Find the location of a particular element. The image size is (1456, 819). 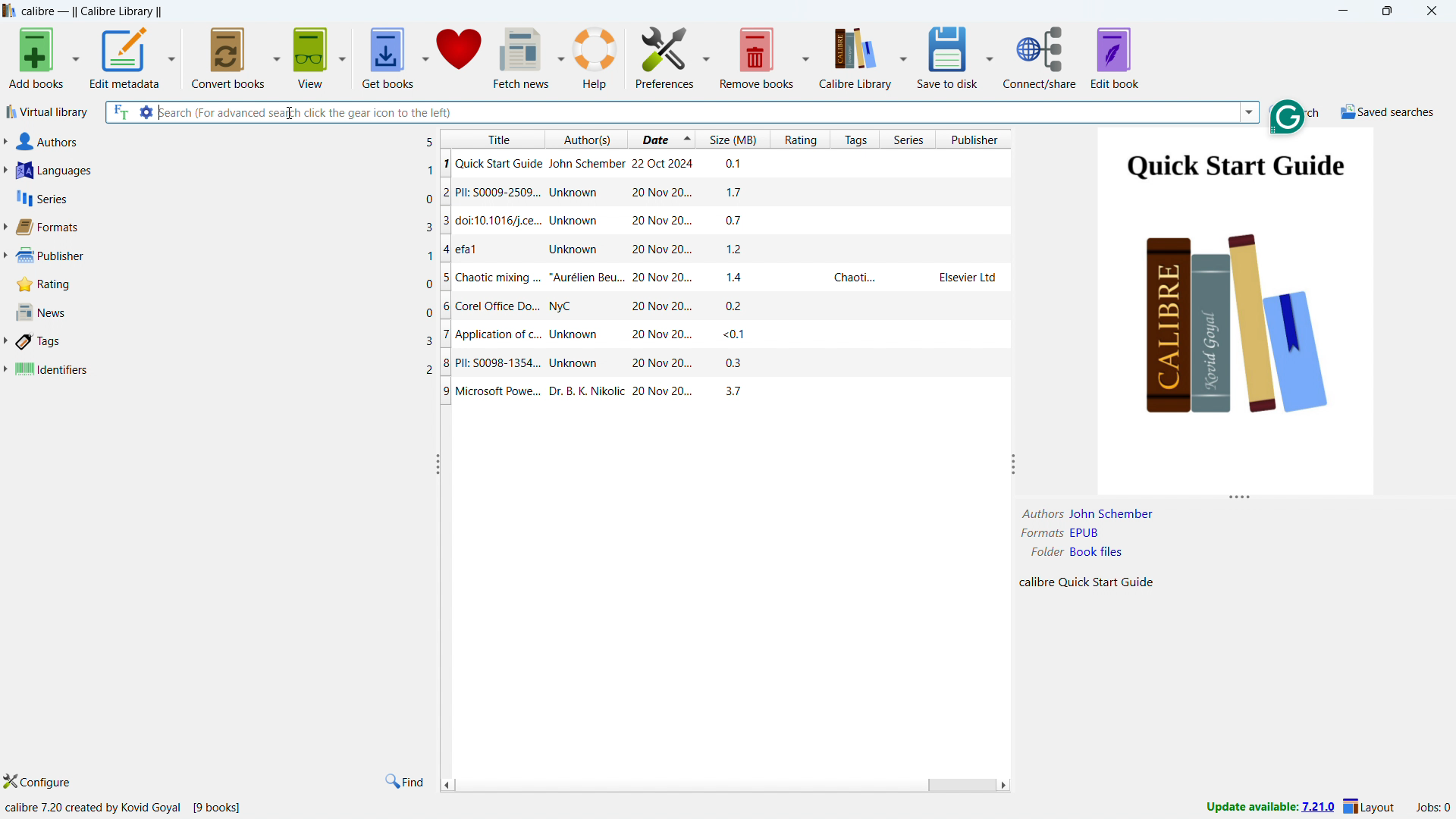

enter search string is located at coordinates (698, 112).